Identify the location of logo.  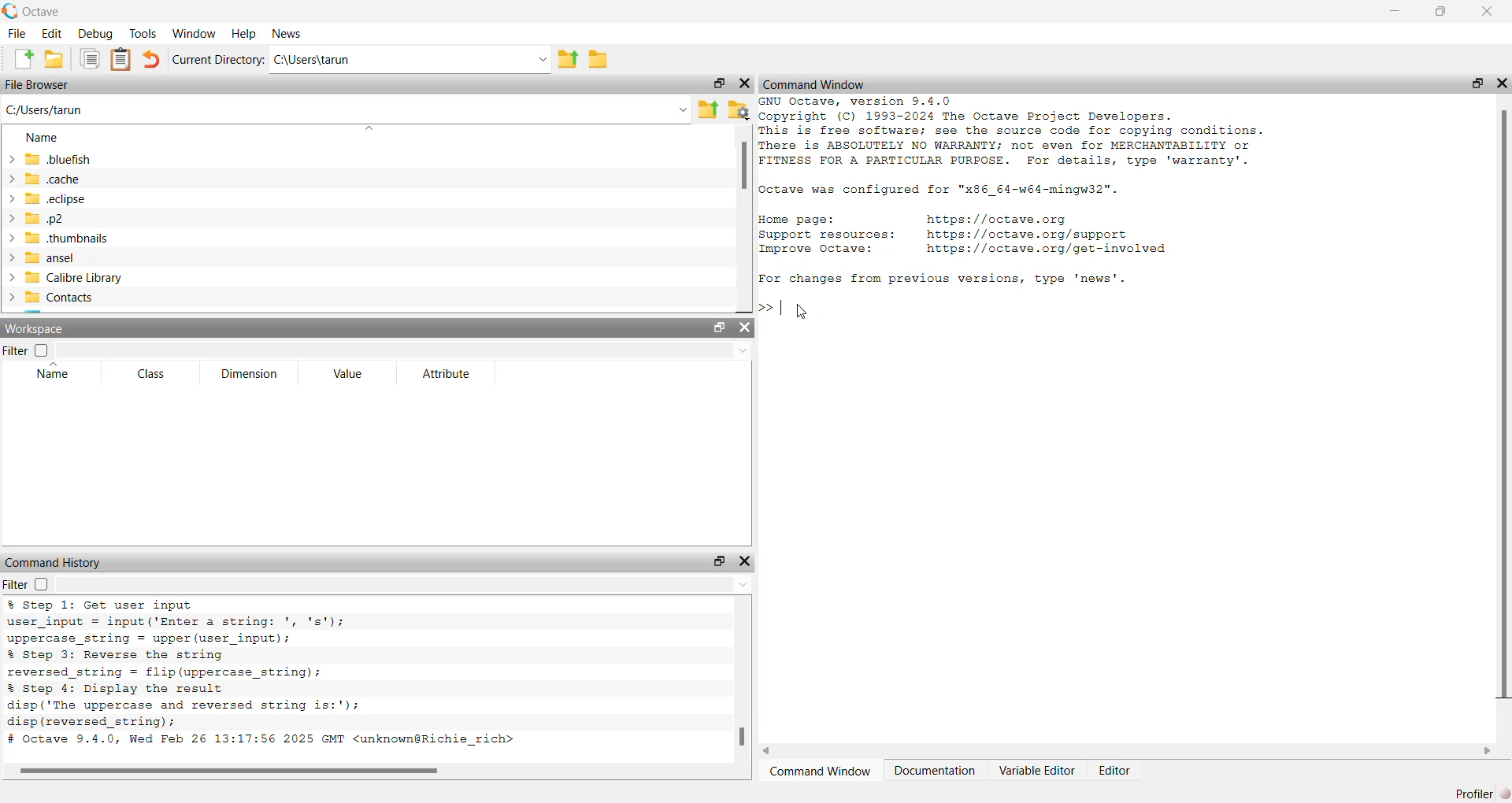
(10, 9).